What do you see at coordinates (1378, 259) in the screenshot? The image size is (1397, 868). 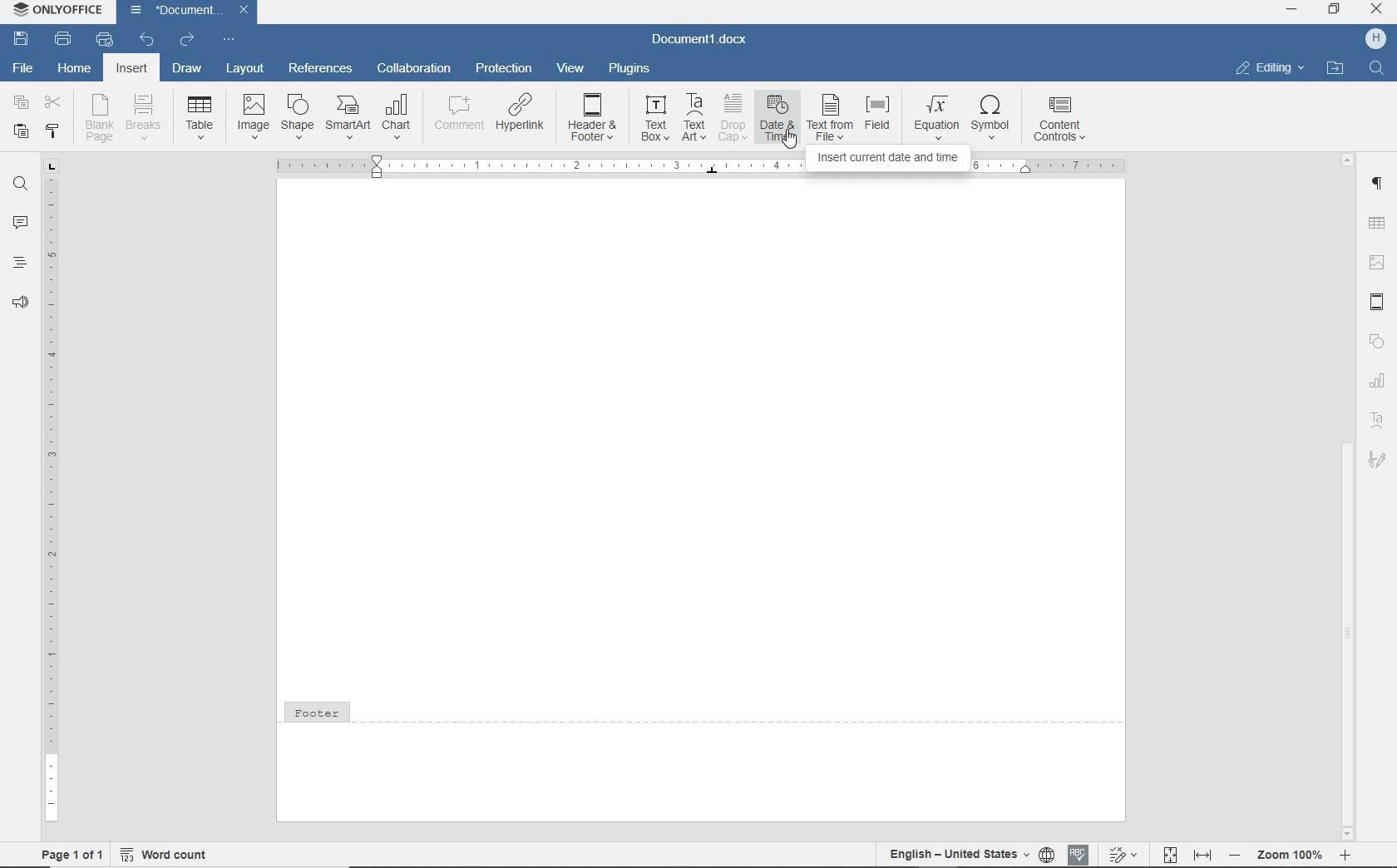 I see `image` at bounding box center [1378, 259].